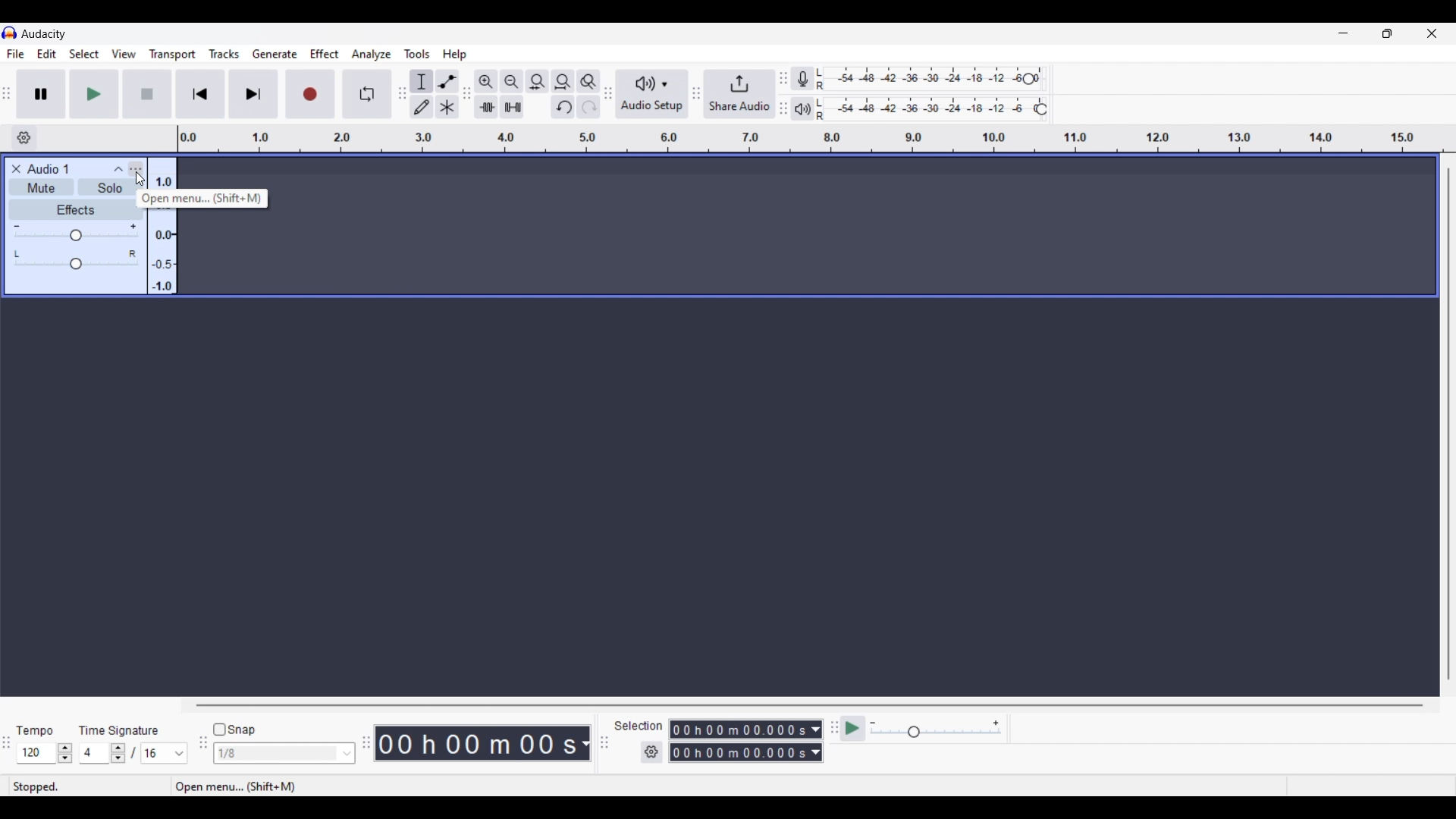  Describe the element at coordinates (1448, 424) in the screenshot. I see `Vertical slide bar` at that location.